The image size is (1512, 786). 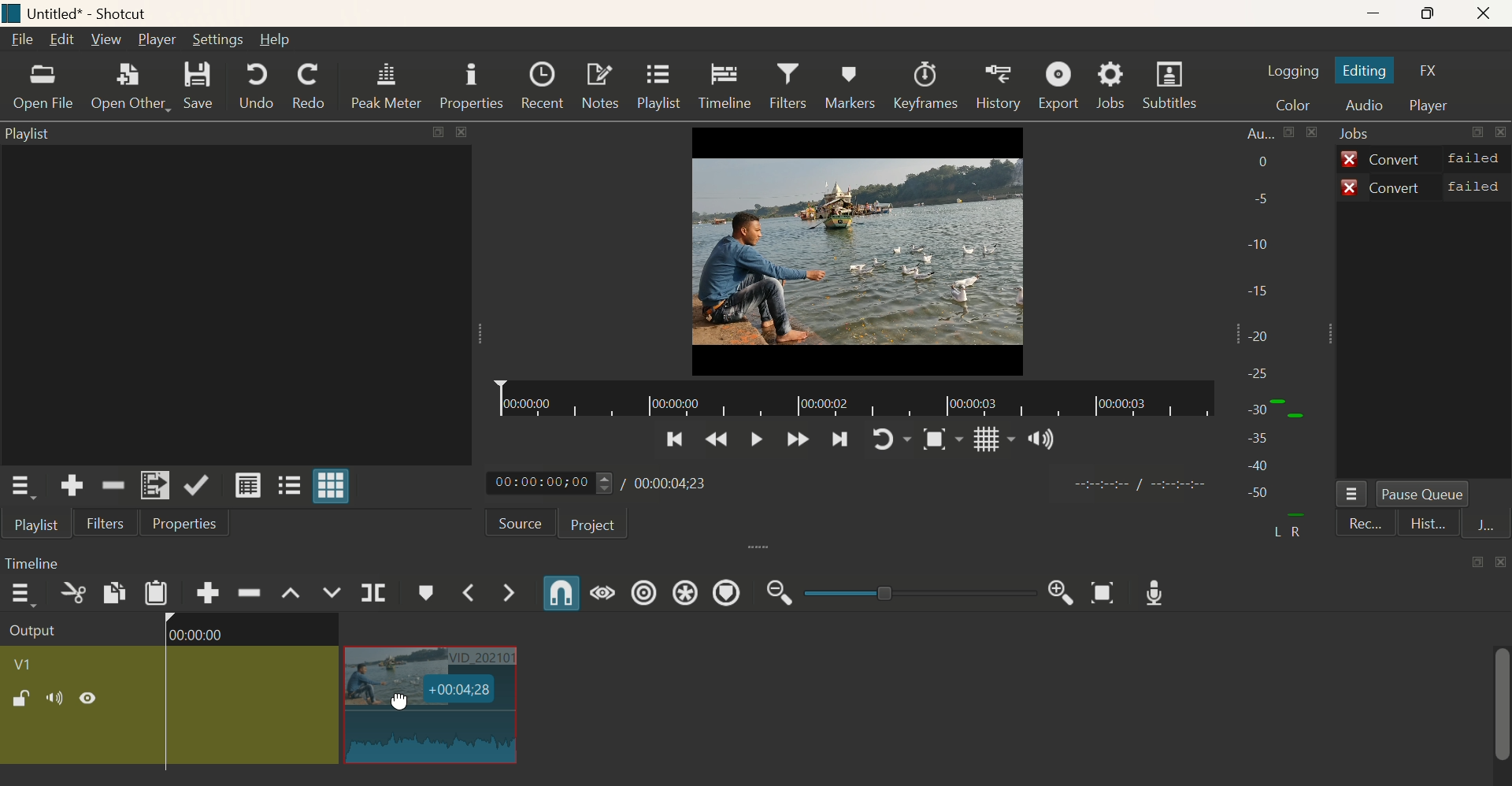 What do you see at coordinates (38, 563) in the screenshot?
I see `Timeline` at bounding box center [38, 563].